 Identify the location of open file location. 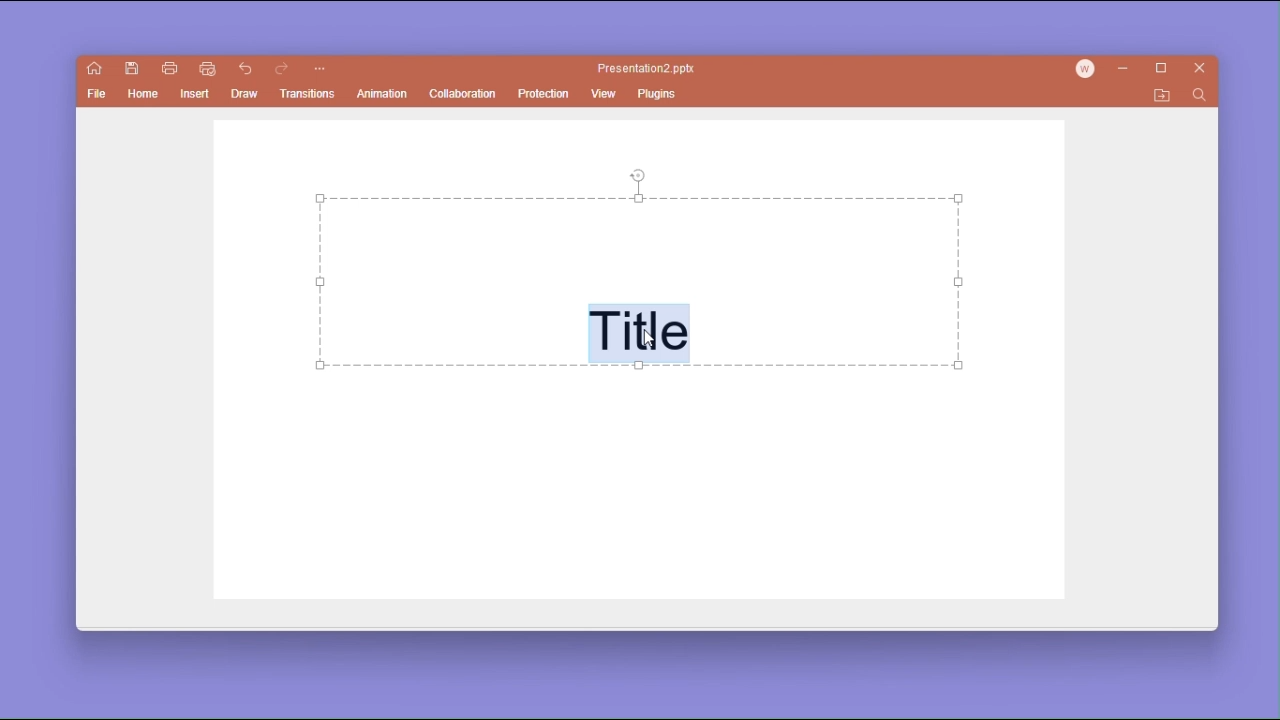
(1162, 96).